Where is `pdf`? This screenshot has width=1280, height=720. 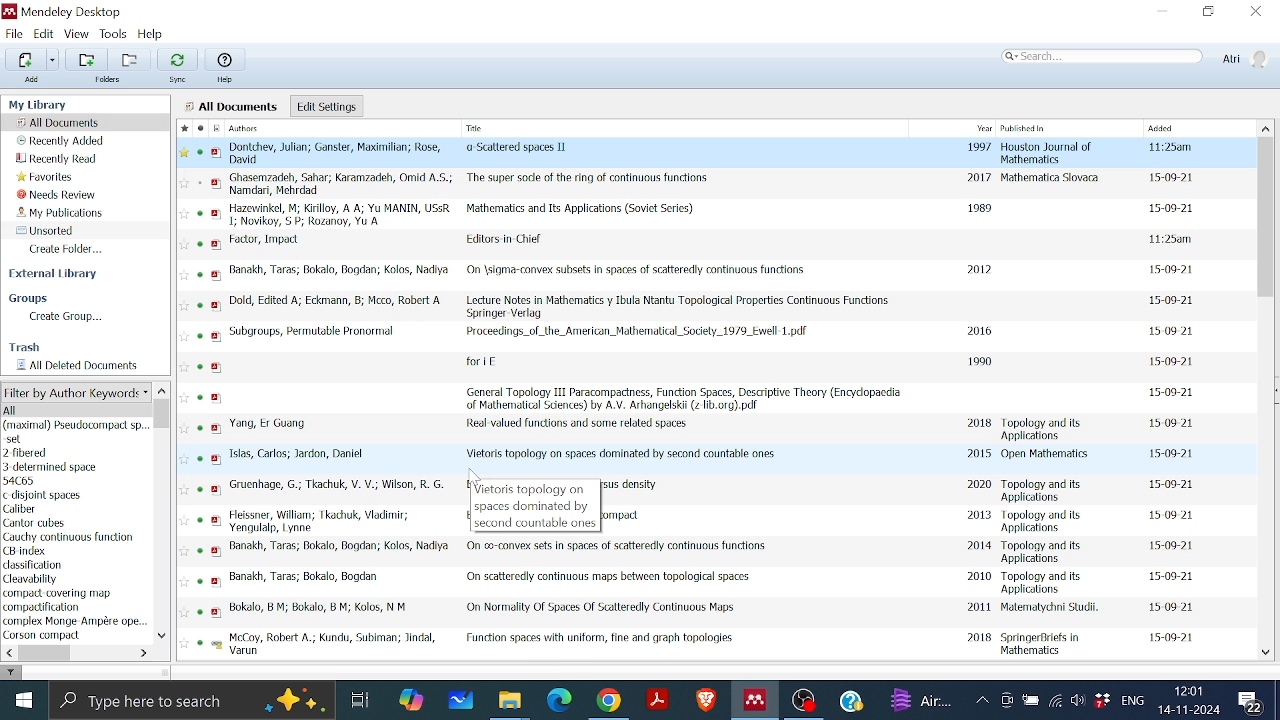
pdf is located at coordinates (216, 428).